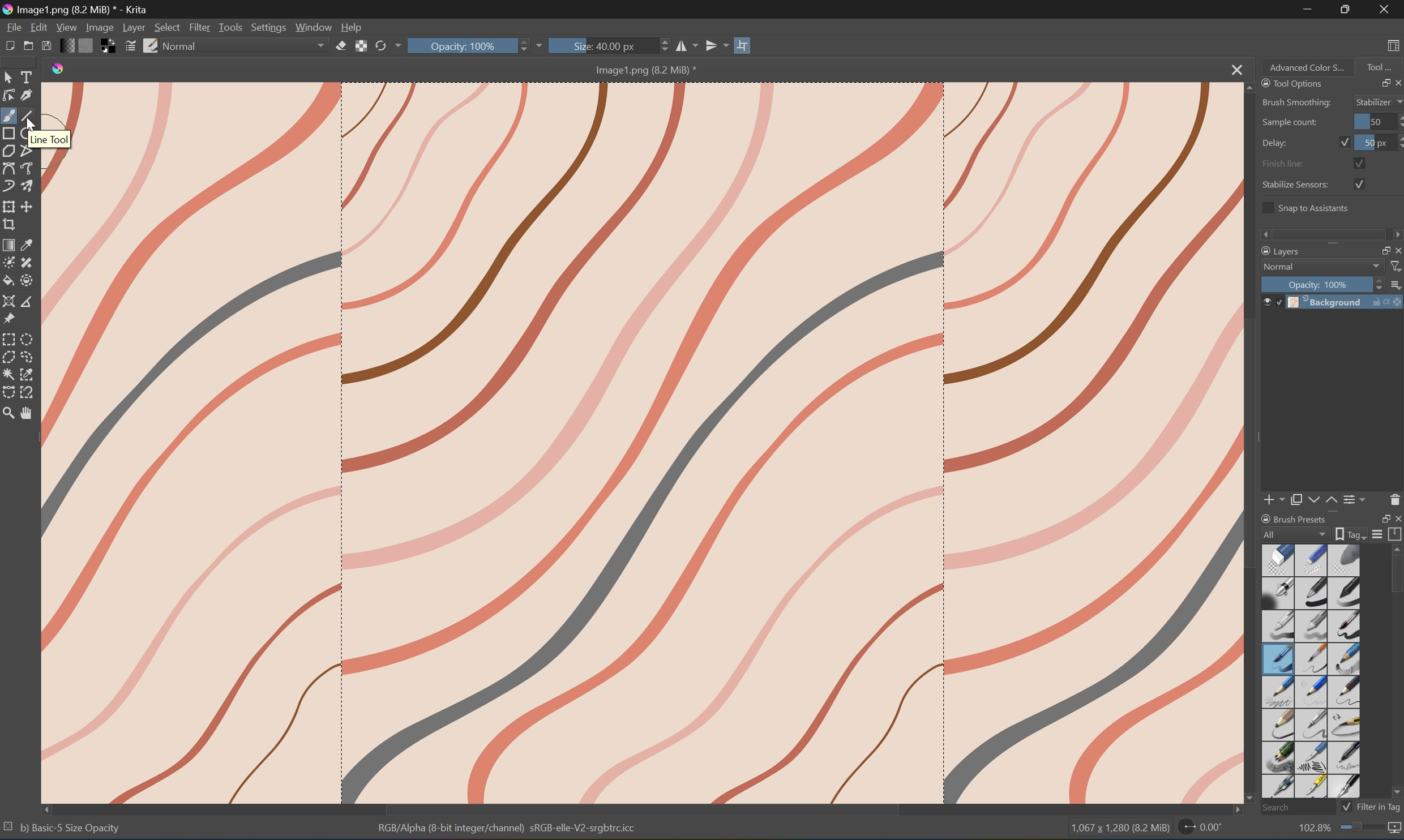  What do you see at coordinates (1265, 298) in the screenshot?
I see `Visibility` at bounding box center [1265, 298].